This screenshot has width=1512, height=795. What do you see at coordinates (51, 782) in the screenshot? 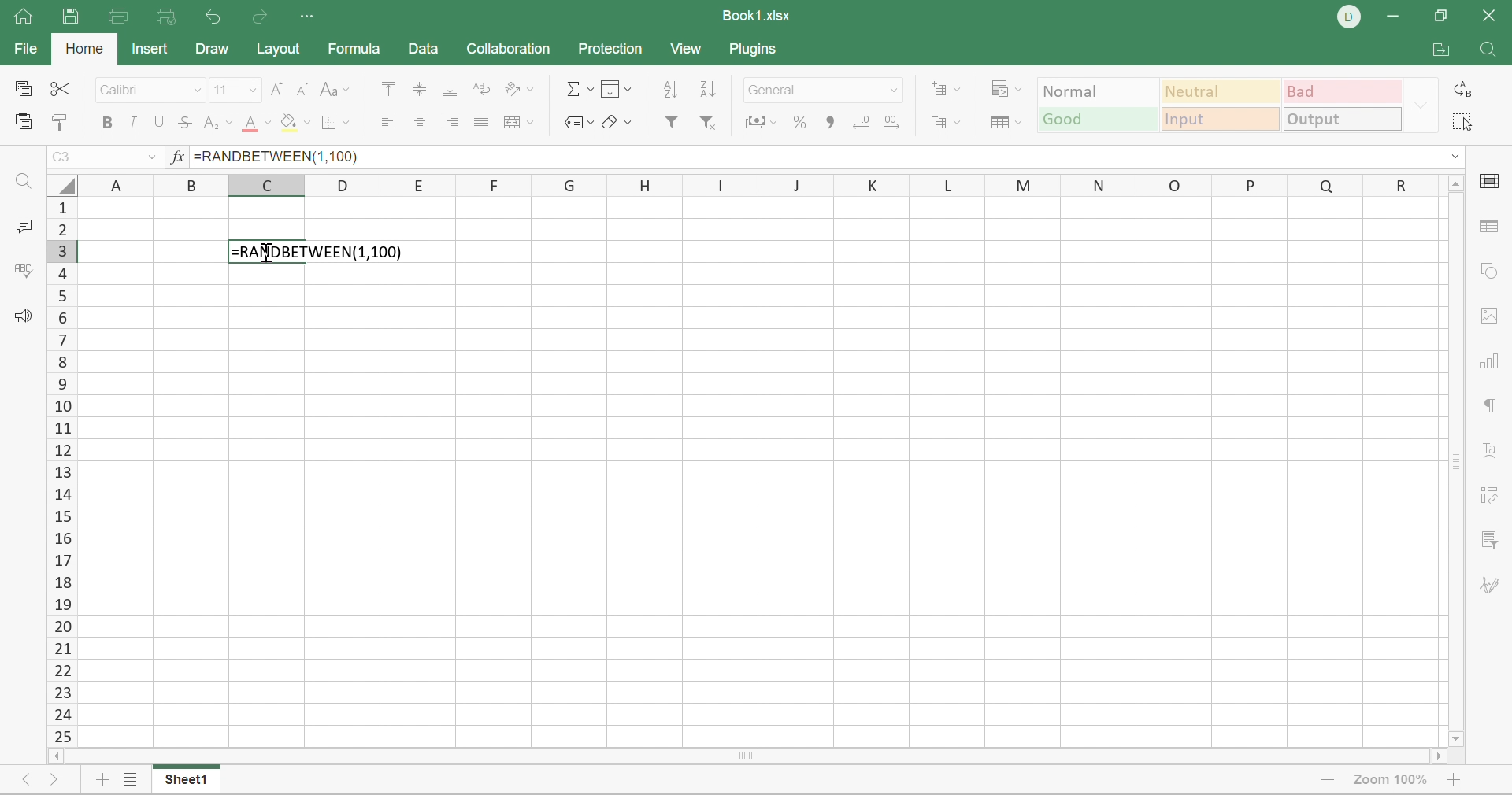
I see `Next` at bounding box center [51, 782].